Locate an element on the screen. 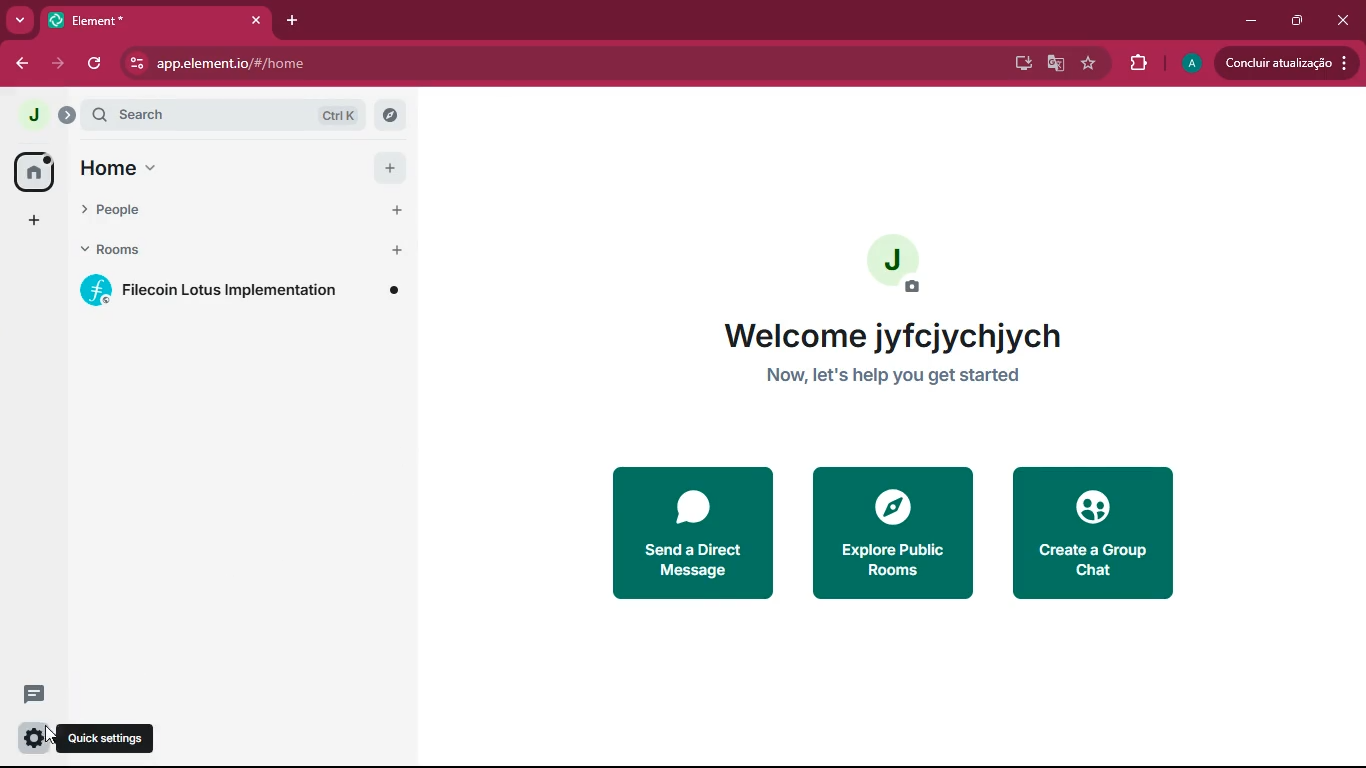 The height and width of the screenshot is (768, 1366). update is located at coordinates (1286, 61).